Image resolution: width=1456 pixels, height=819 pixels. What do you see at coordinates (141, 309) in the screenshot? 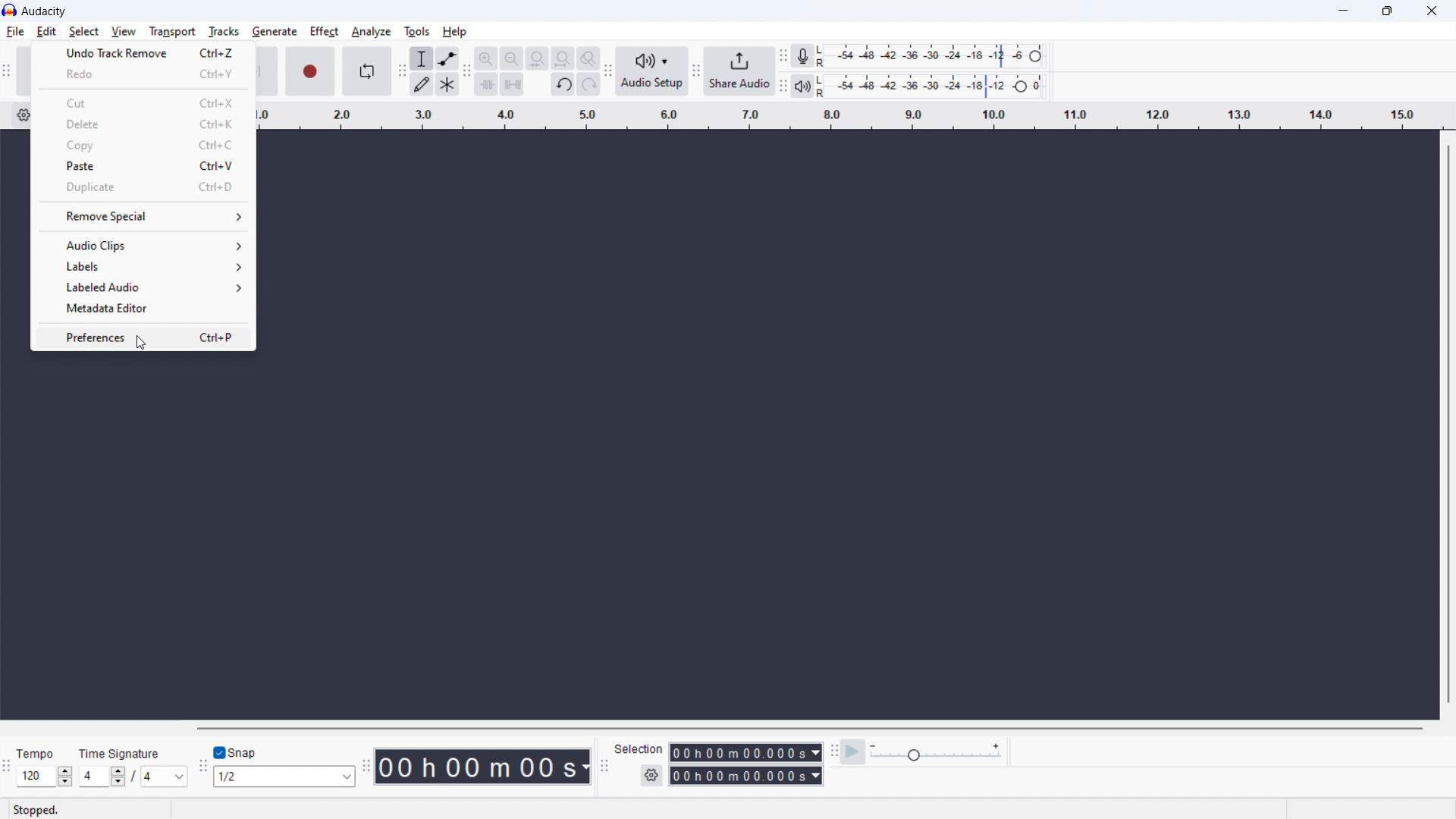
I see `metadata editor` at bounding box center [141, 309].